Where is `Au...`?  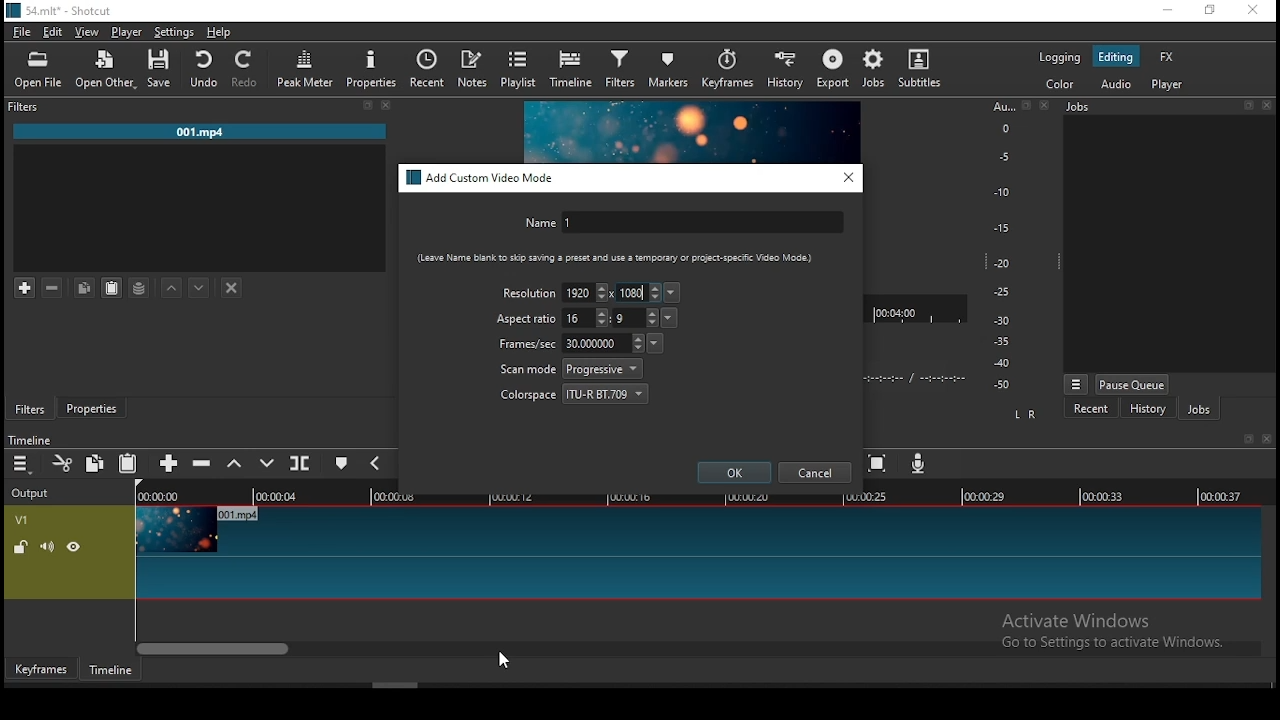
Au... is located at coordinates (1000, 106).